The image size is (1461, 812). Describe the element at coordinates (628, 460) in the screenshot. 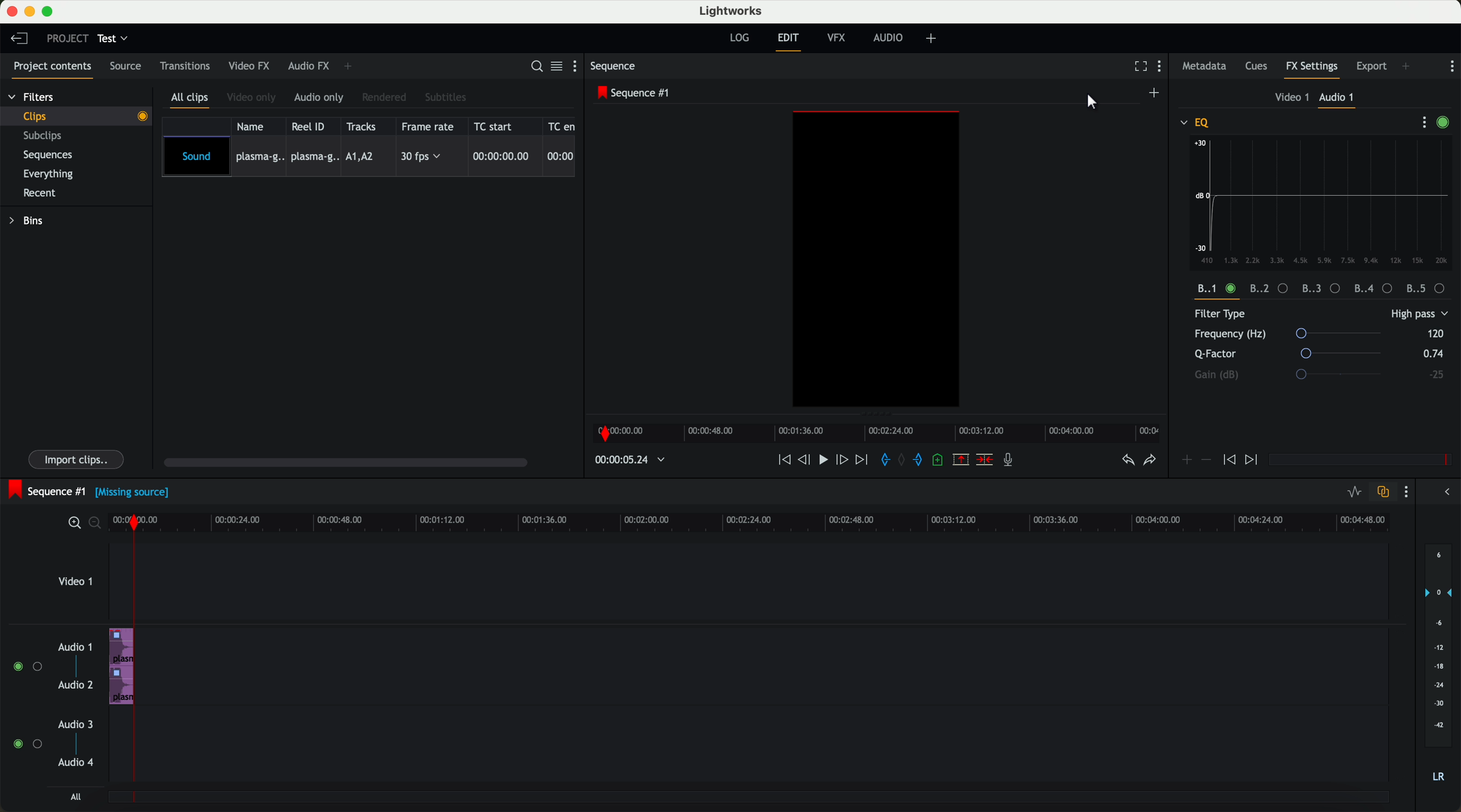

I see `timer` at that location.